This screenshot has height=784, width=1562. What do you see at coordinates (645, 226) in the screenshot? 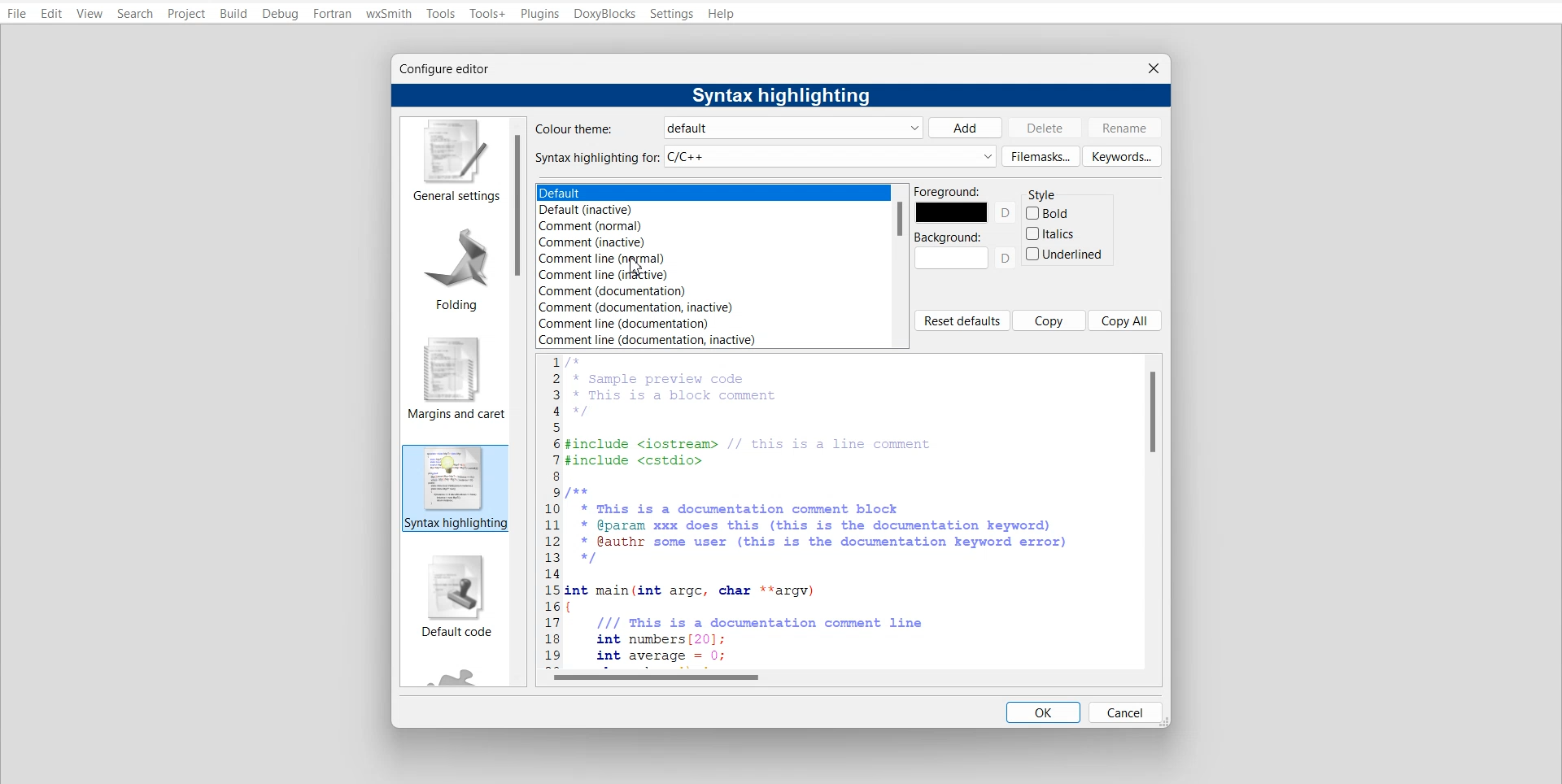
I see `Comment (normal)` at bounding box center [645, 226].